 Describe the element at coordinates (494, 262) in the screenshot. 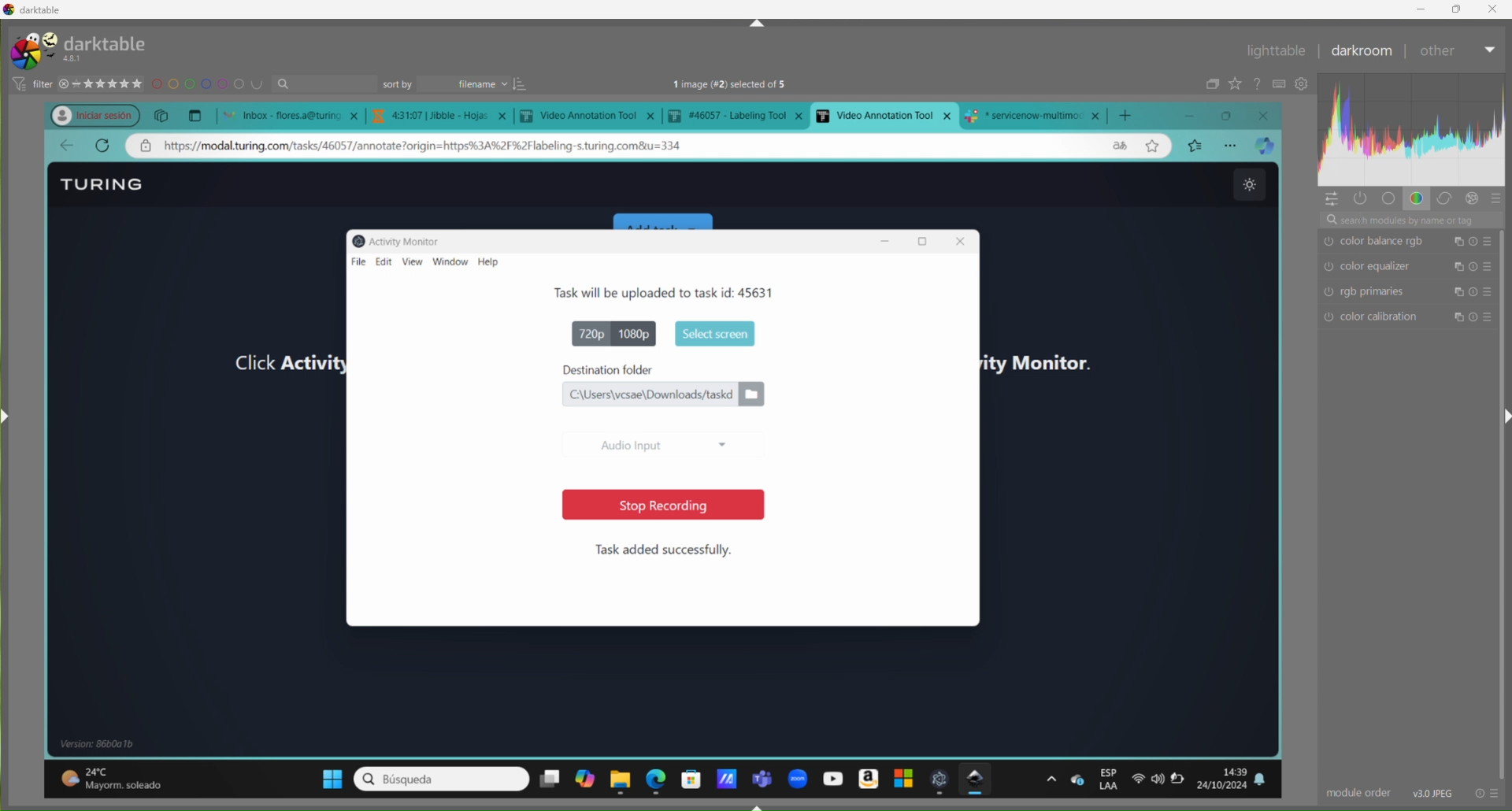

I see `help` at that location.